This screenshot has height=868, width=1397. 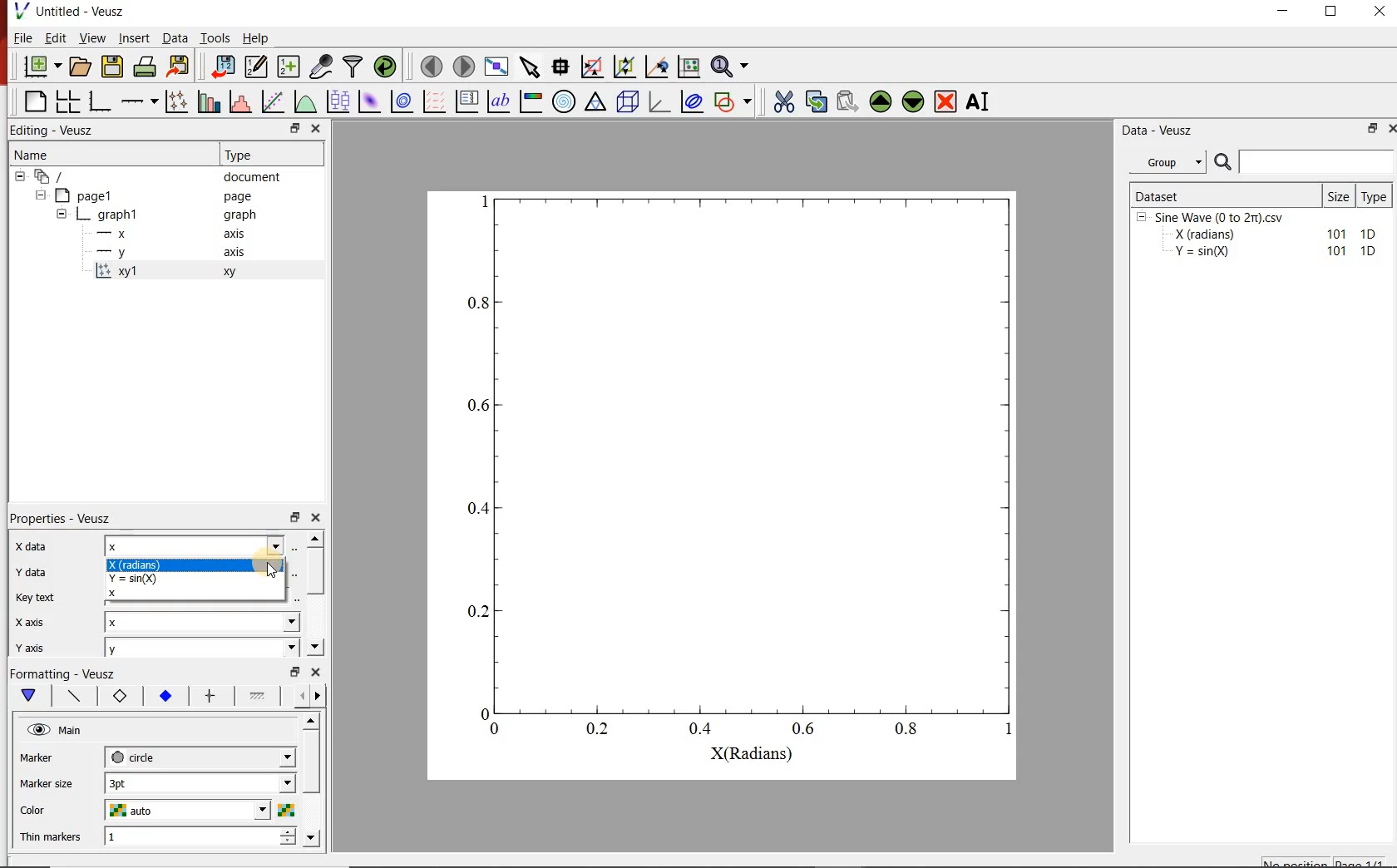 What do you see at coordinates (317, 672) in the screenshot?
I see `Close` at bounding box center [317, 672].